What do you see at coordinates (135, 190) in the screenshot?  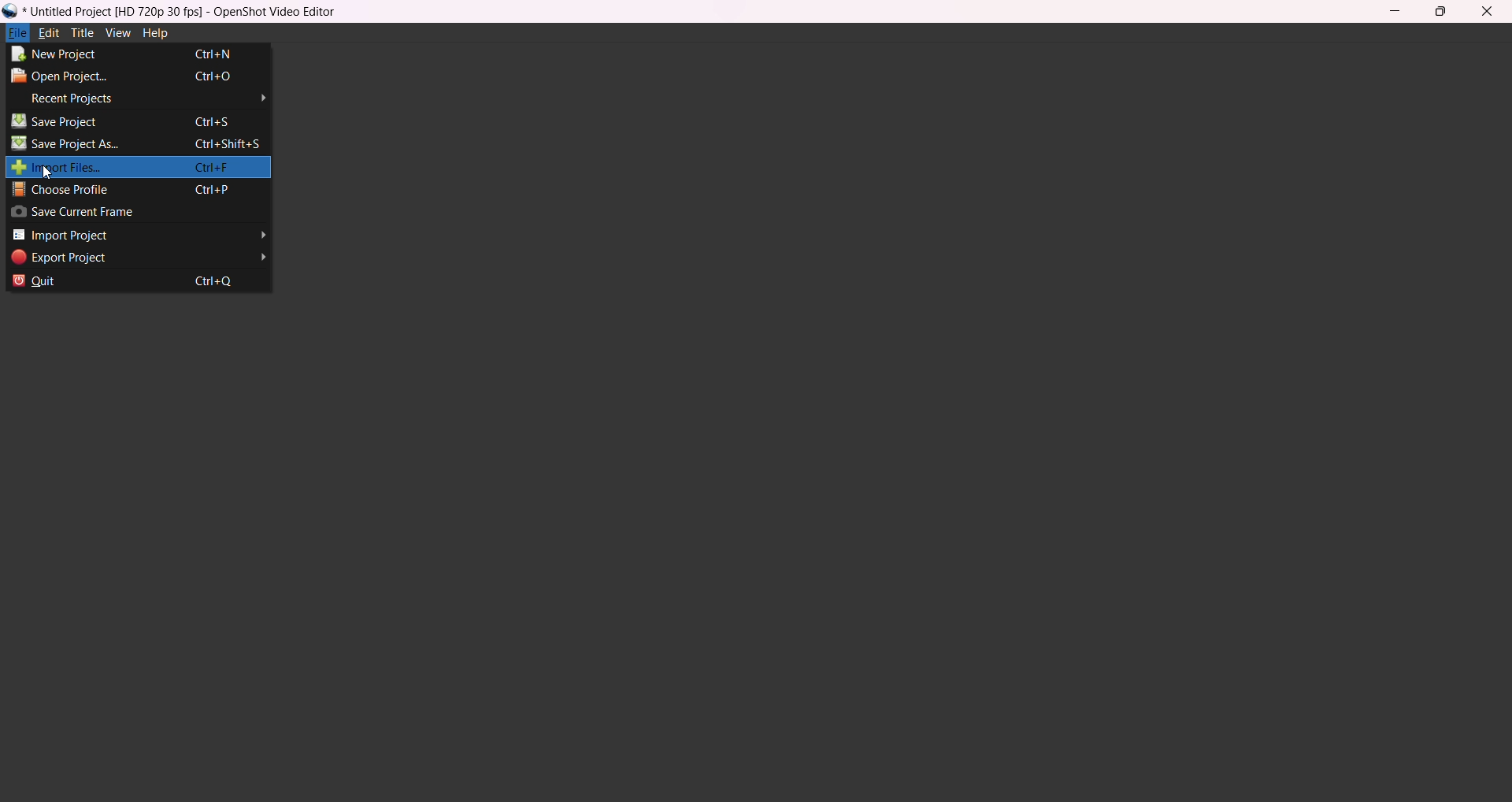 I see `choose profile` at bounding box center [135, 190].